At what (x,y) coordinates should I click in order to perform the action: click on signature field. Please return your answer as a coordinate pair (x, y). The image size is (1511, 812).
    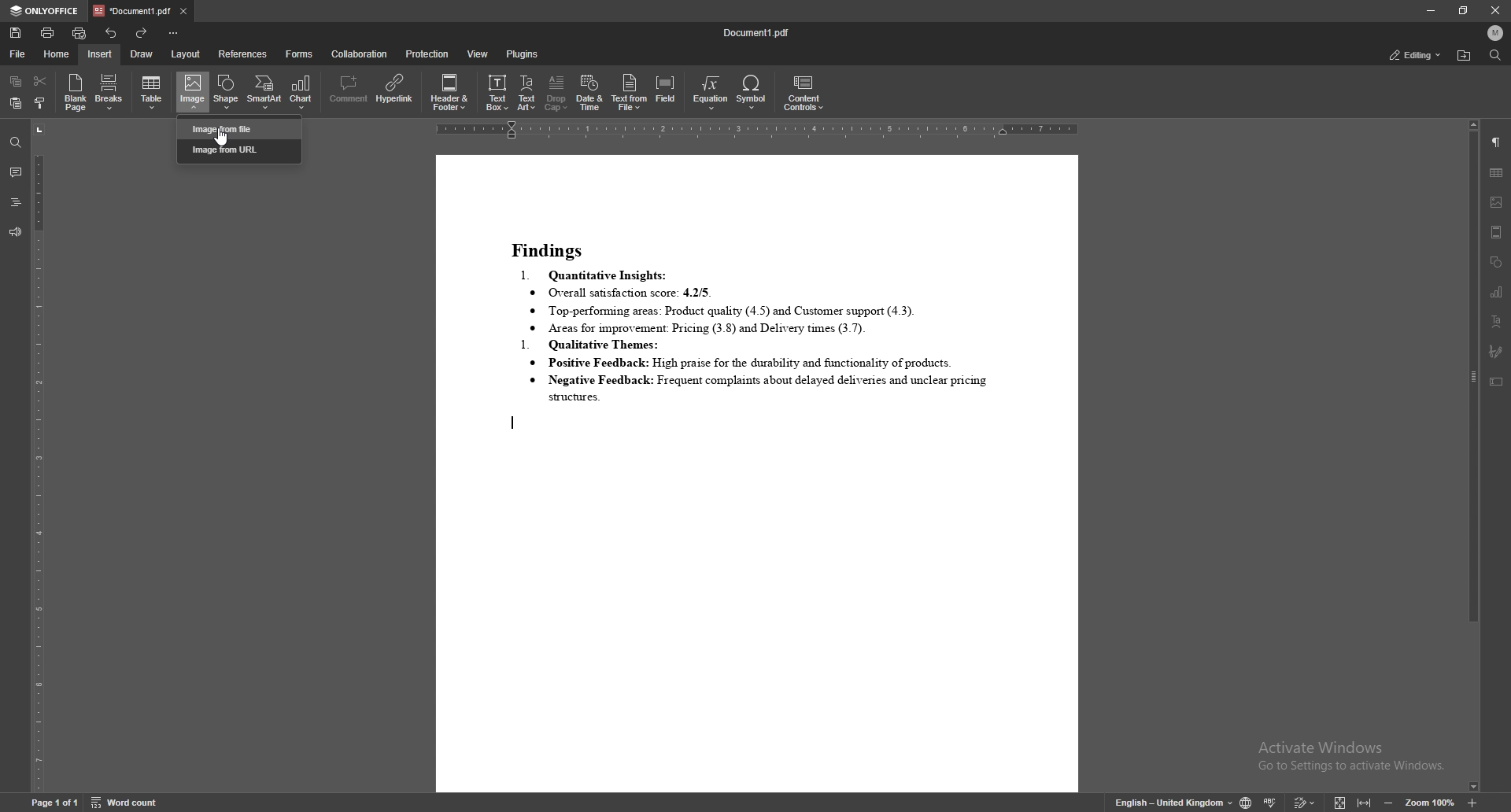
    Looking at the image, I should click on (1494, 351).